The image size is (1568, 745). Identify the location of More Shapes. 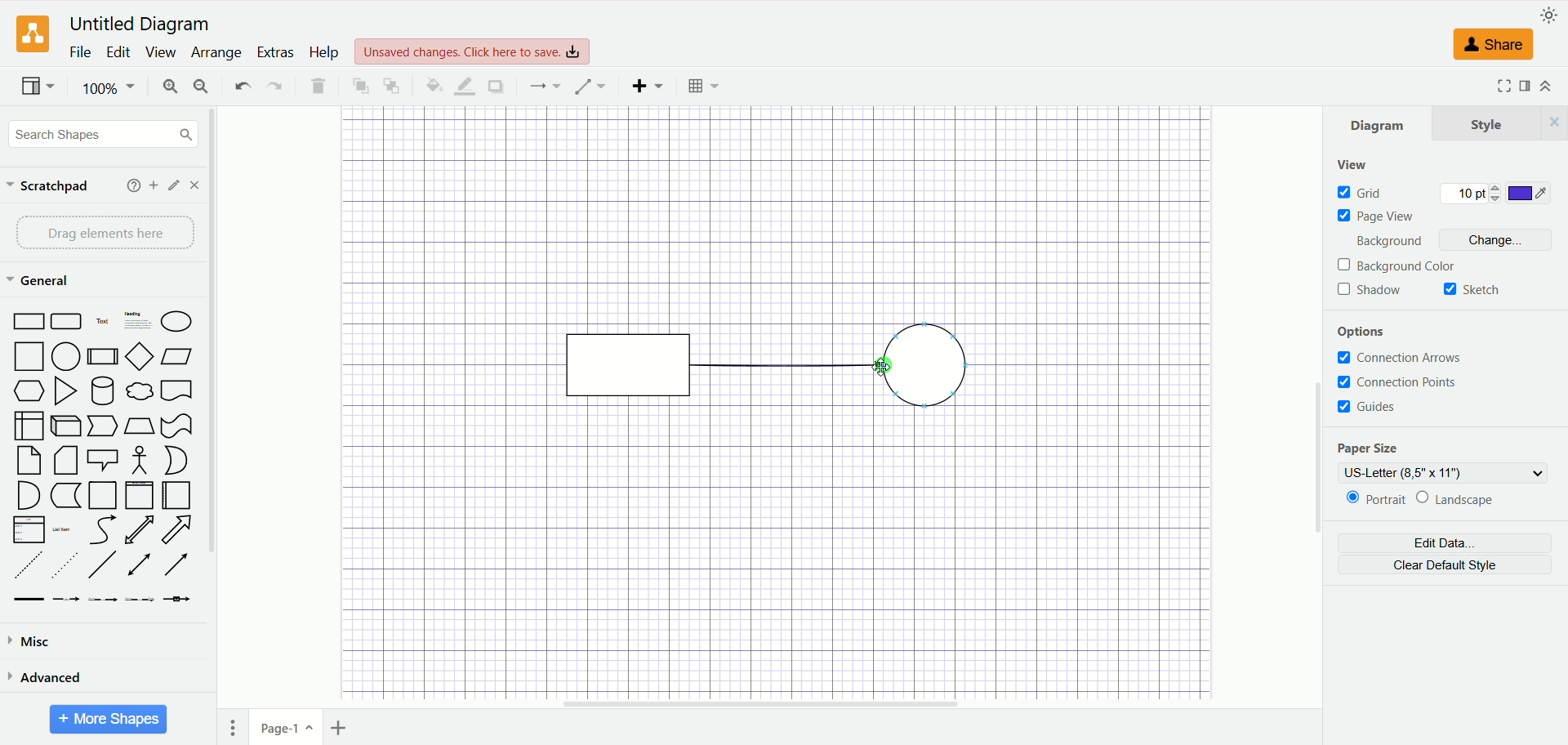
(109, 719).